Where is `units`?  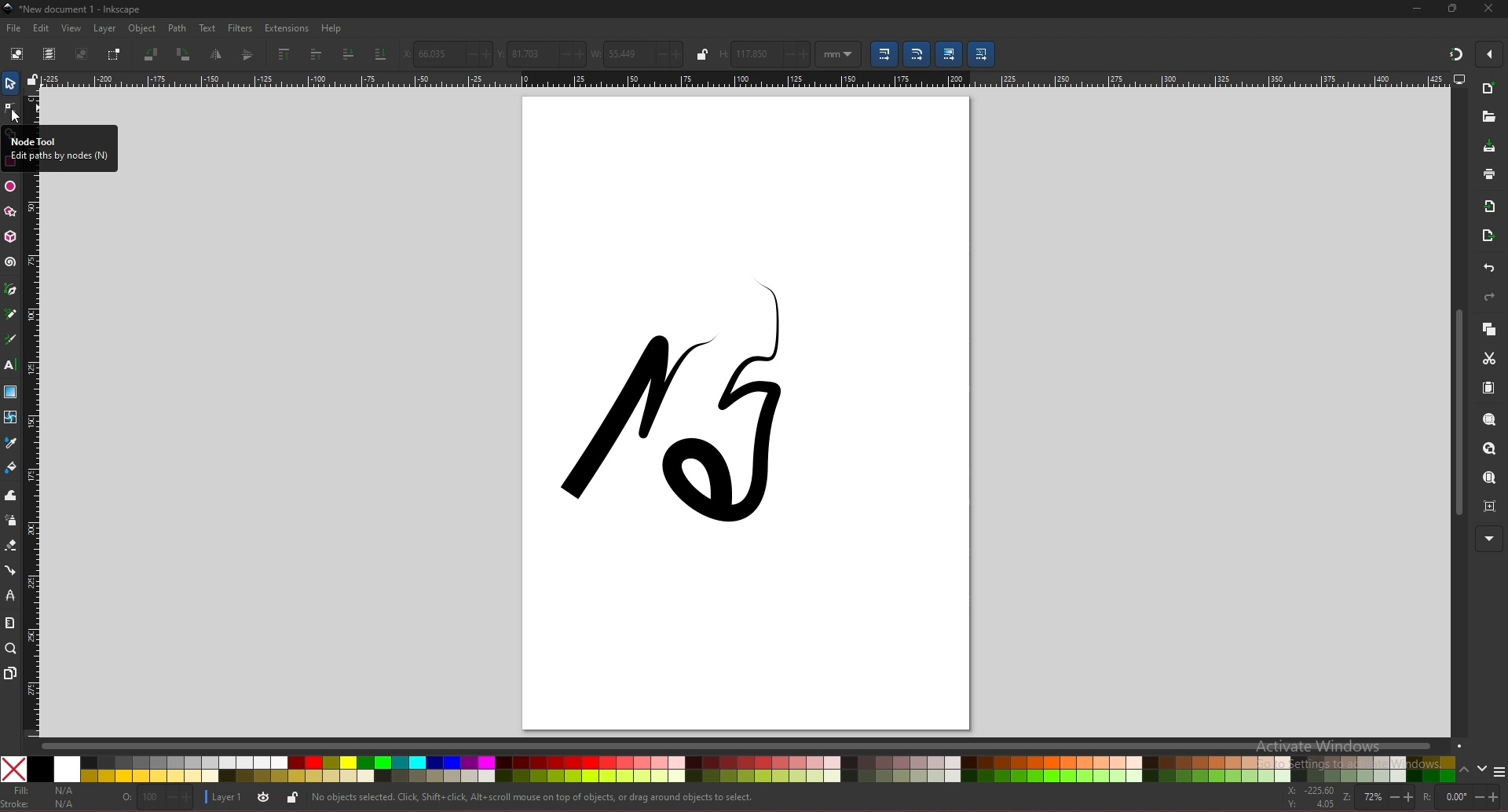 units is located at coordinates (839, 53).